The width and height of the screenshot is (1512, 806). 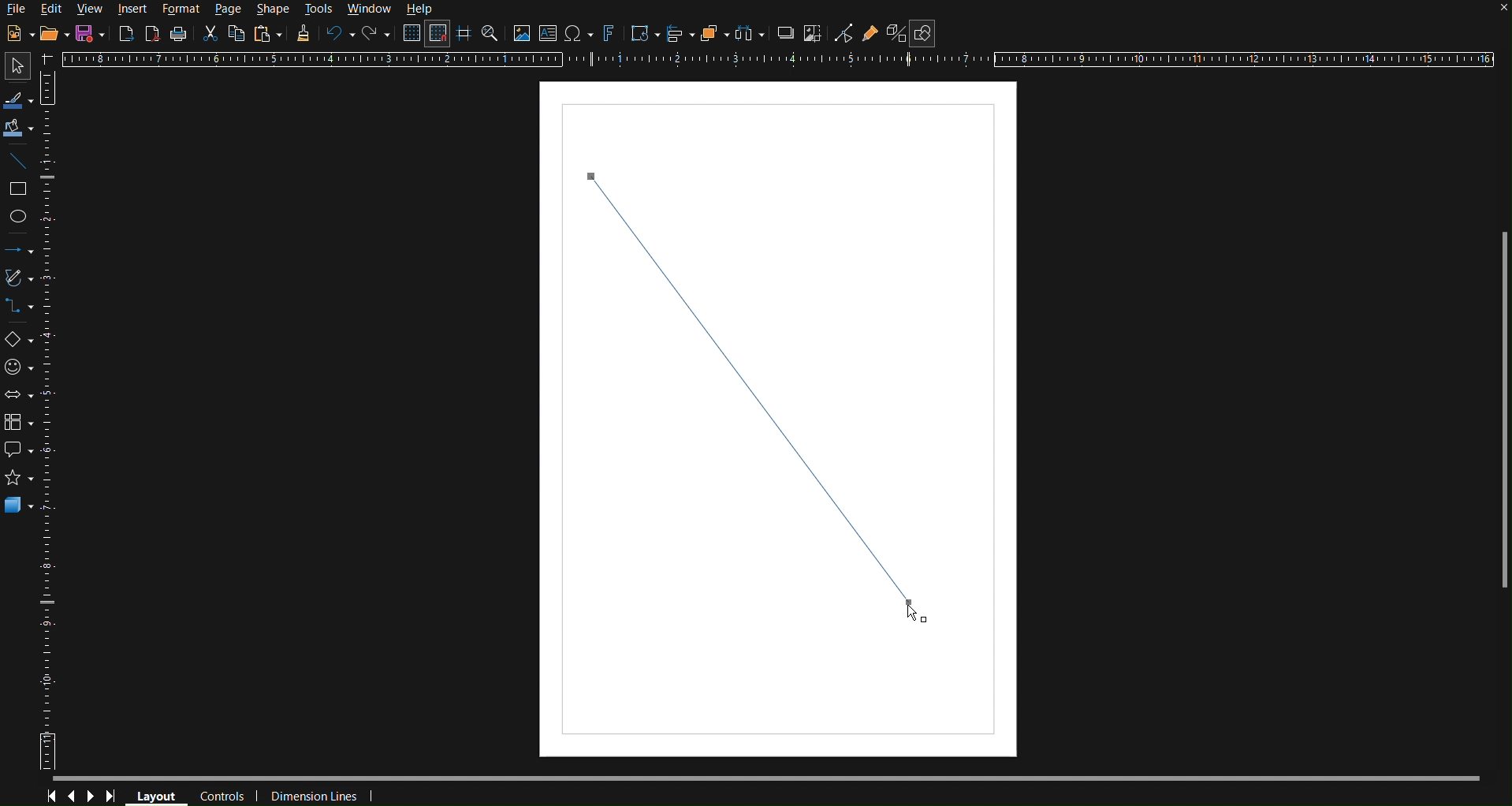 What do you see at coordinates (19, 101) in the screenshot?
I see `Line color` at bounding box center [19, 101].